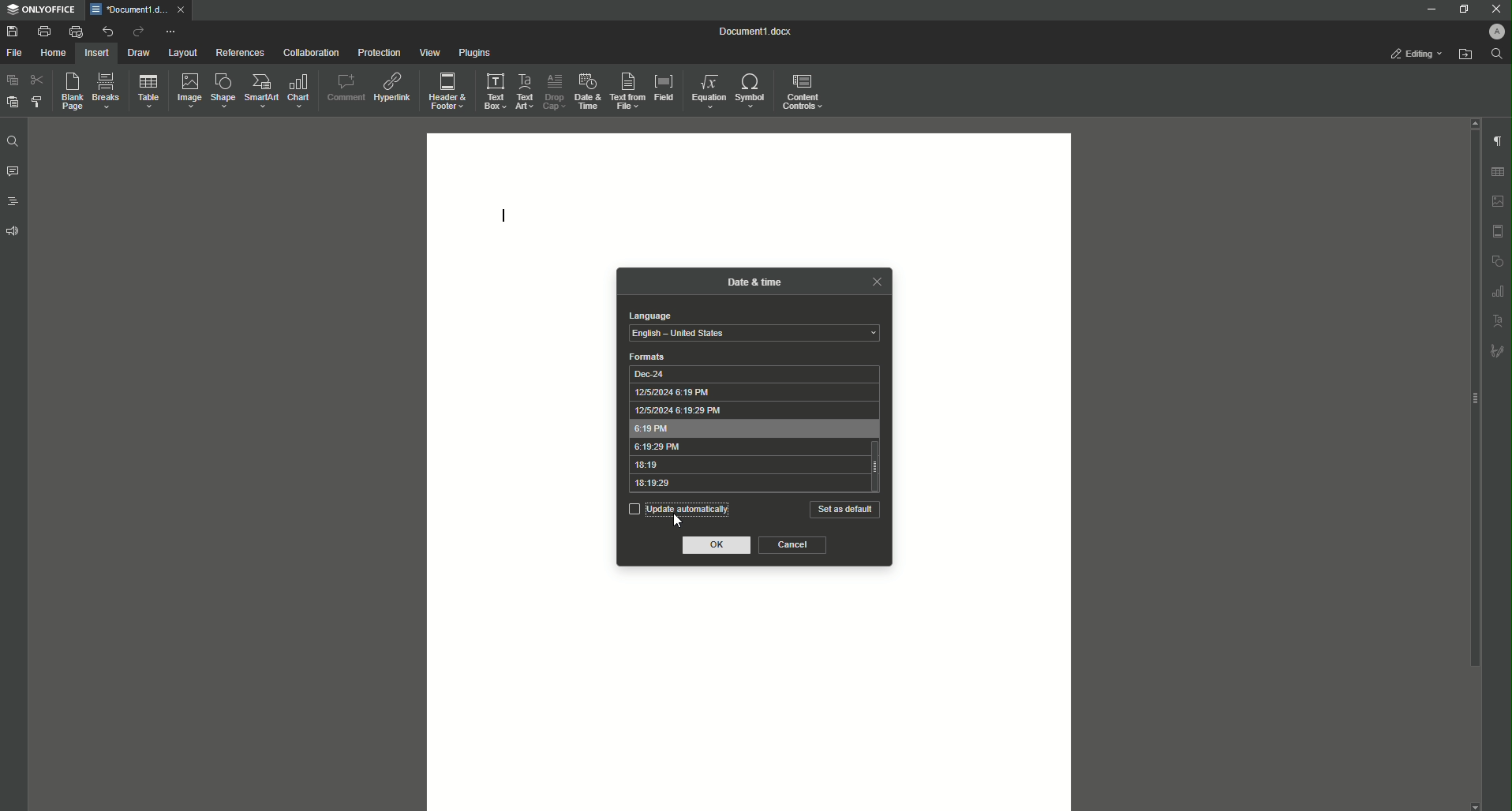 This screenshot has height=811, width=1512. I want to click on OK, so click(718, 546).